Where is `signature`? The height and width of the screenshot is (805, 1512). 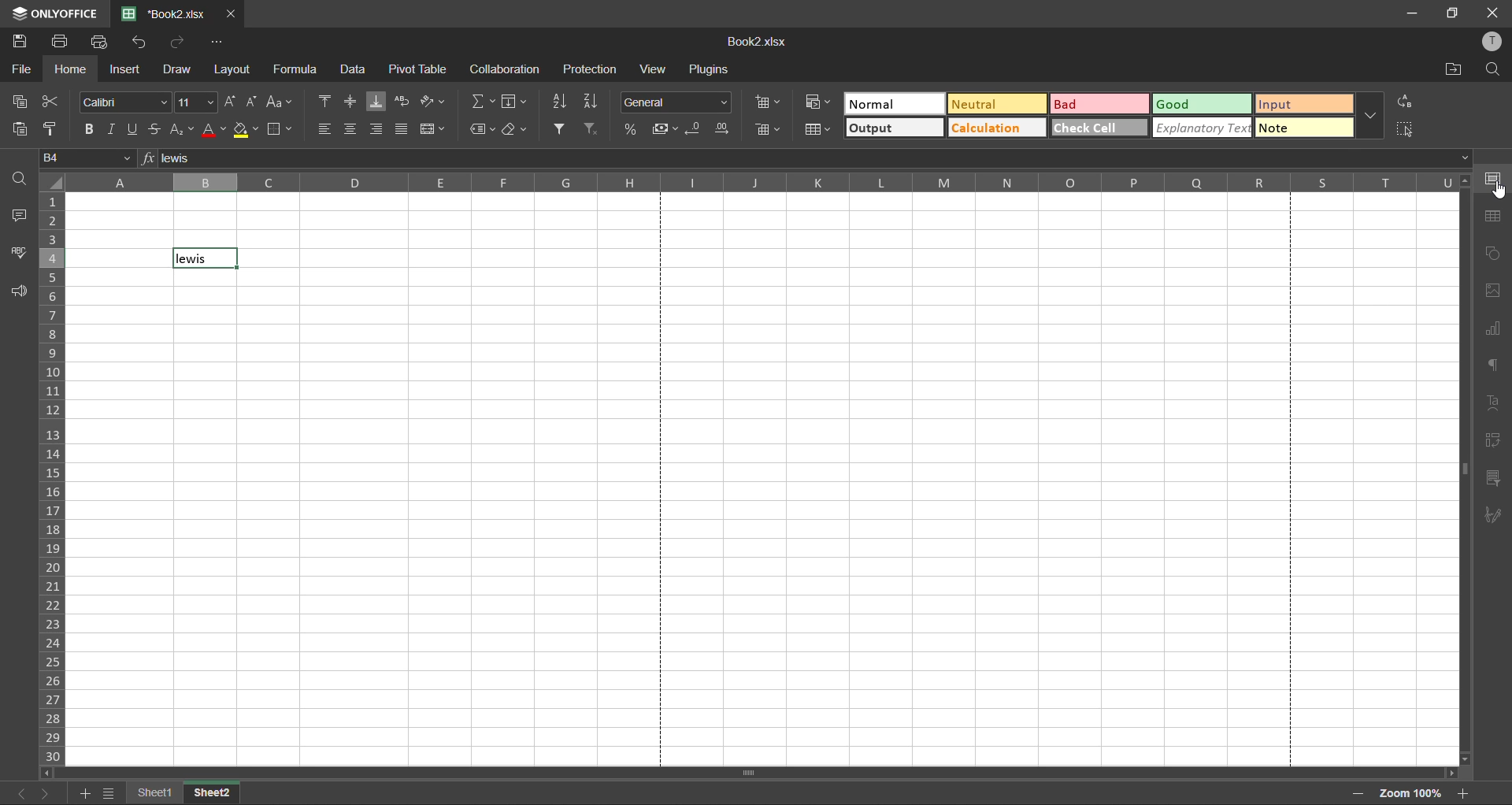
signature is located at coordinates (1498, 517).